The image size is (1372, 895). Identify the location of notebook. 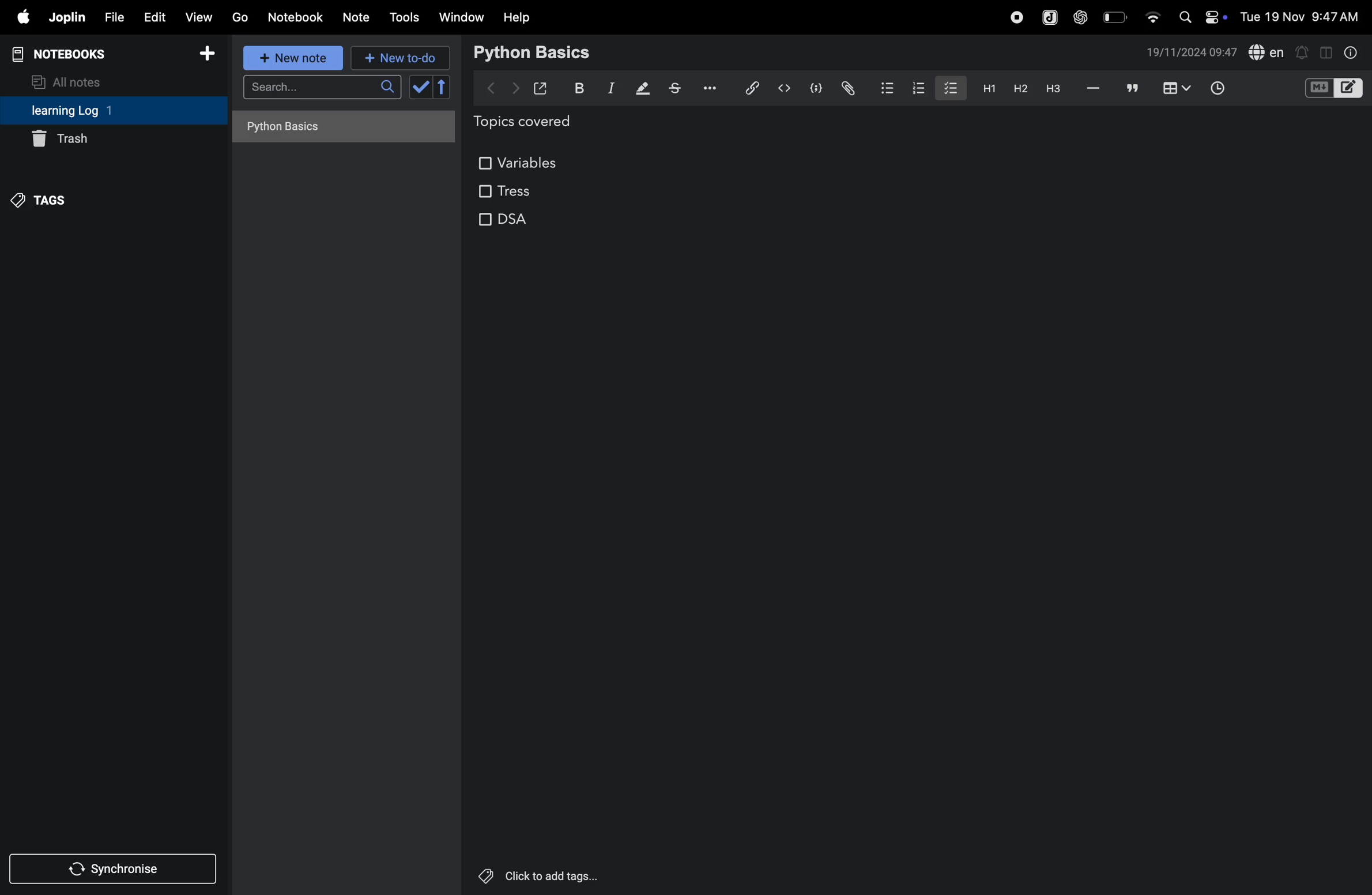
(297, 16).